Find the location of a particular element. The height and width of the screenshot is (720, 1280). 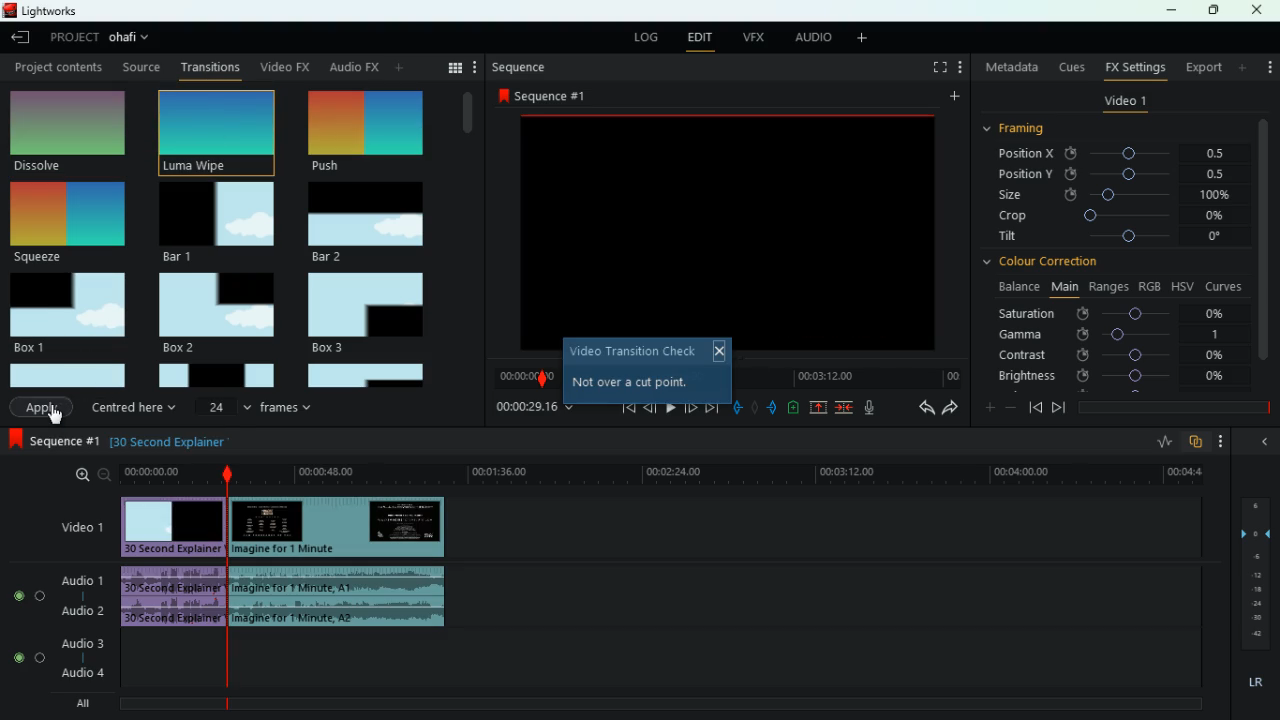

audio 1 is located at coordinates (85, 580).